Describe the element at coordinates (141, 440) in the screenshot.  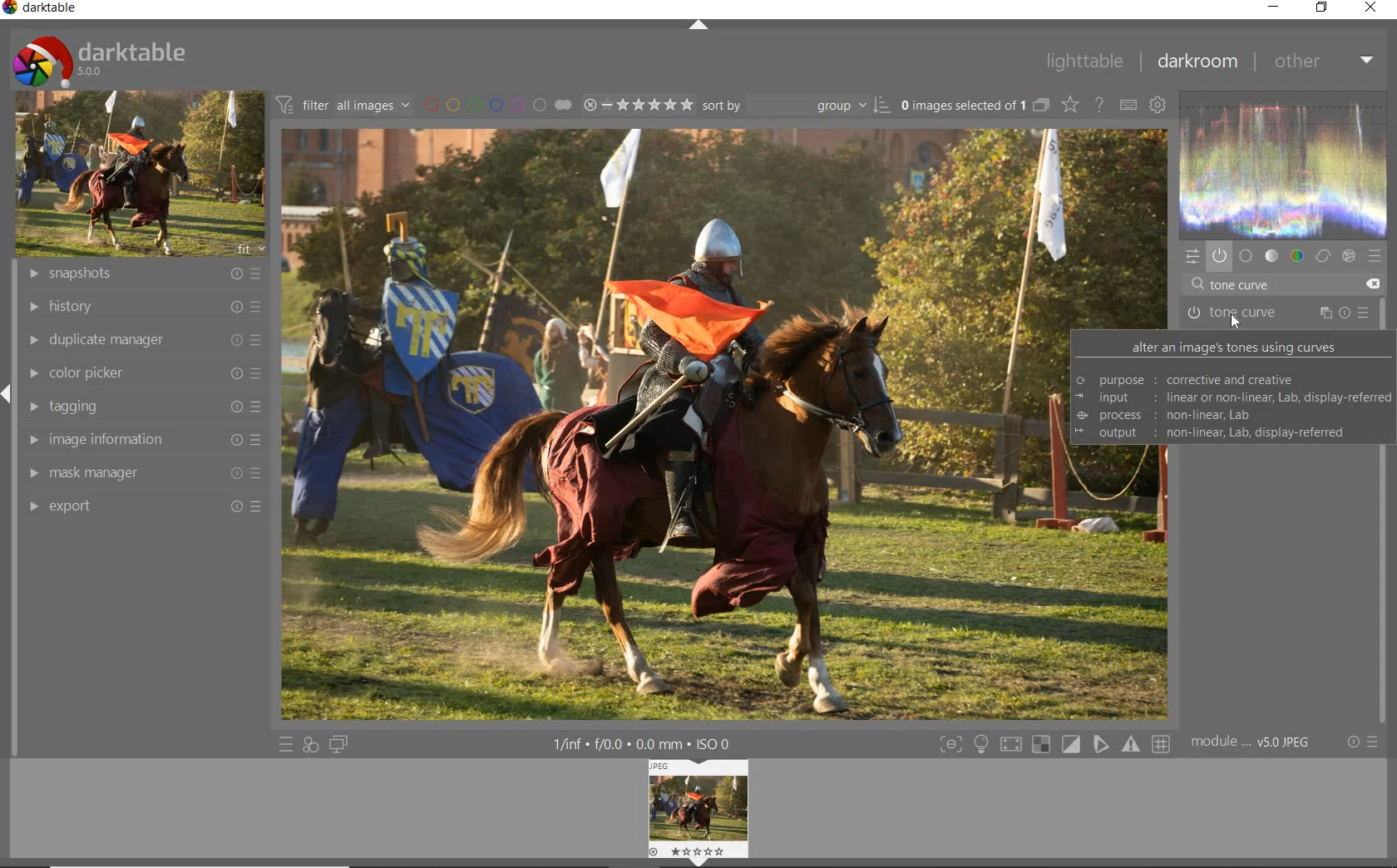
I see `image information` at that location.